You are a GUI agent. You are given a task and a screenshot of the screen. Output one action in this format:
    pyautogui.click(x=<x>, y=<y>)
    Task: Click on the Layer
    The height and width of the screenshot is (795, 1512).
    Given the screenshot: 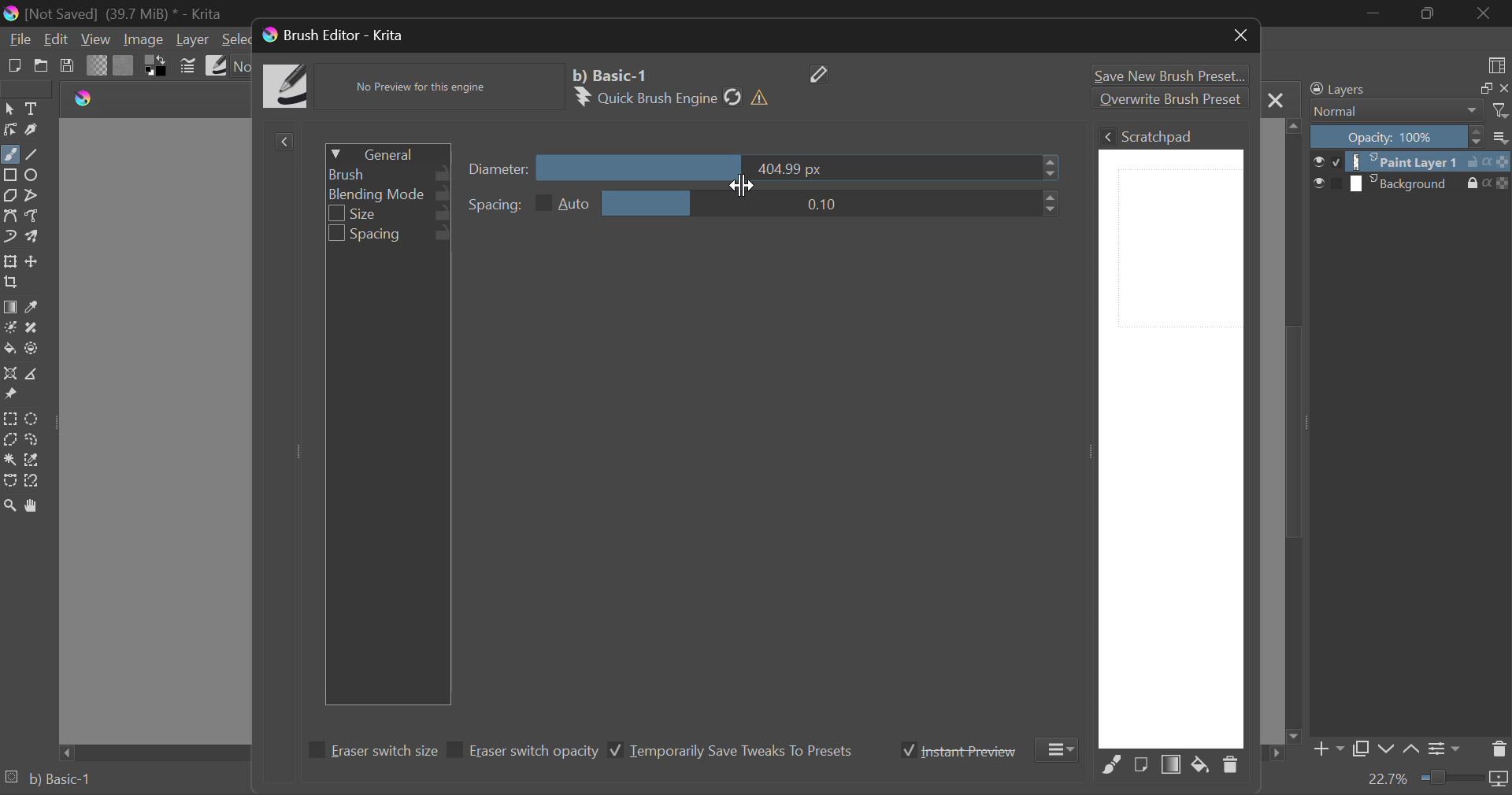 What is the action you would take?
    pyautogui.click(x=193, y=41)
    